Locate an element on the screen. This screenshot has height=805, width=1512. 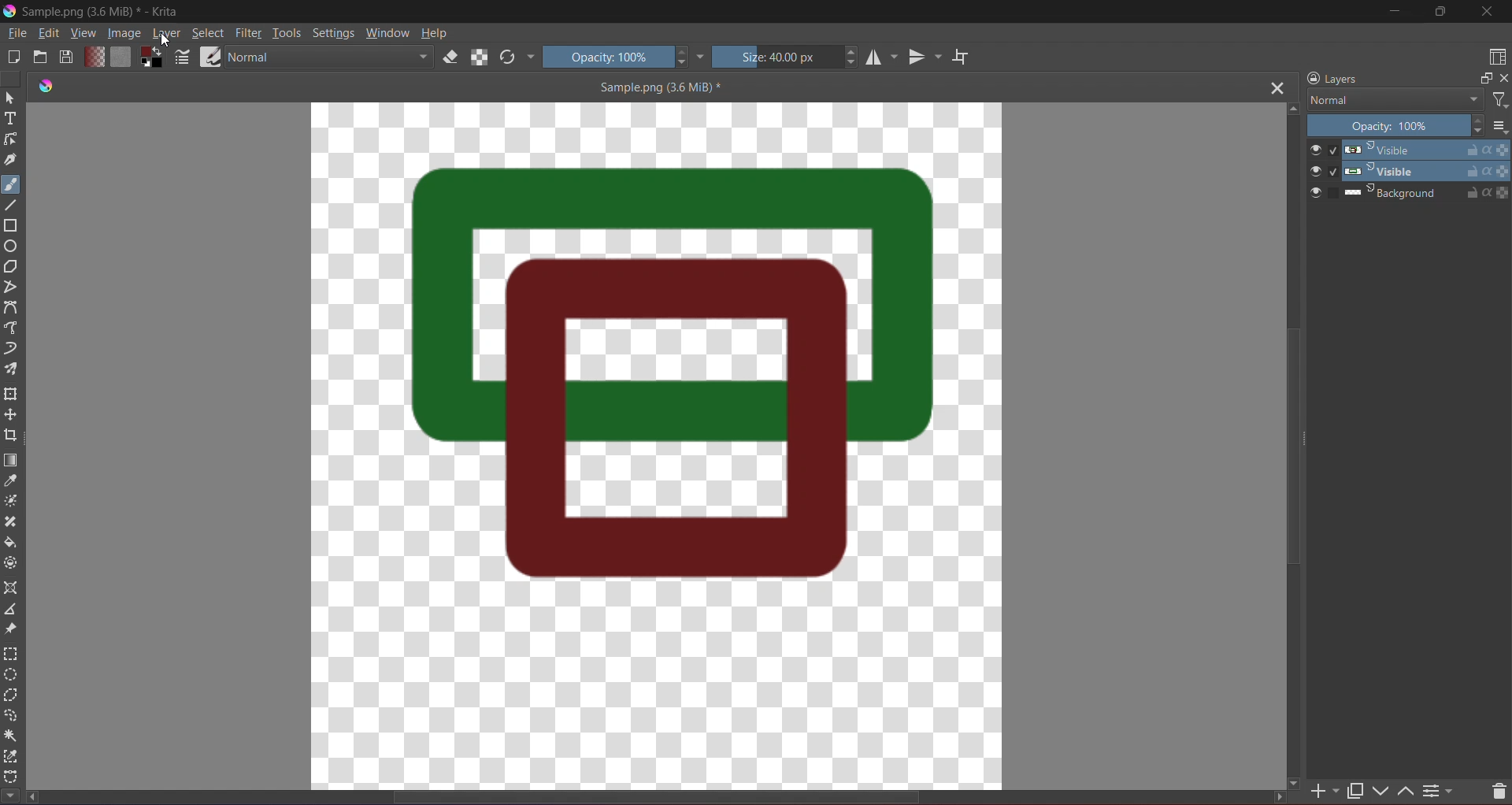
Preset Alpha is located at coordinates (482, 57).